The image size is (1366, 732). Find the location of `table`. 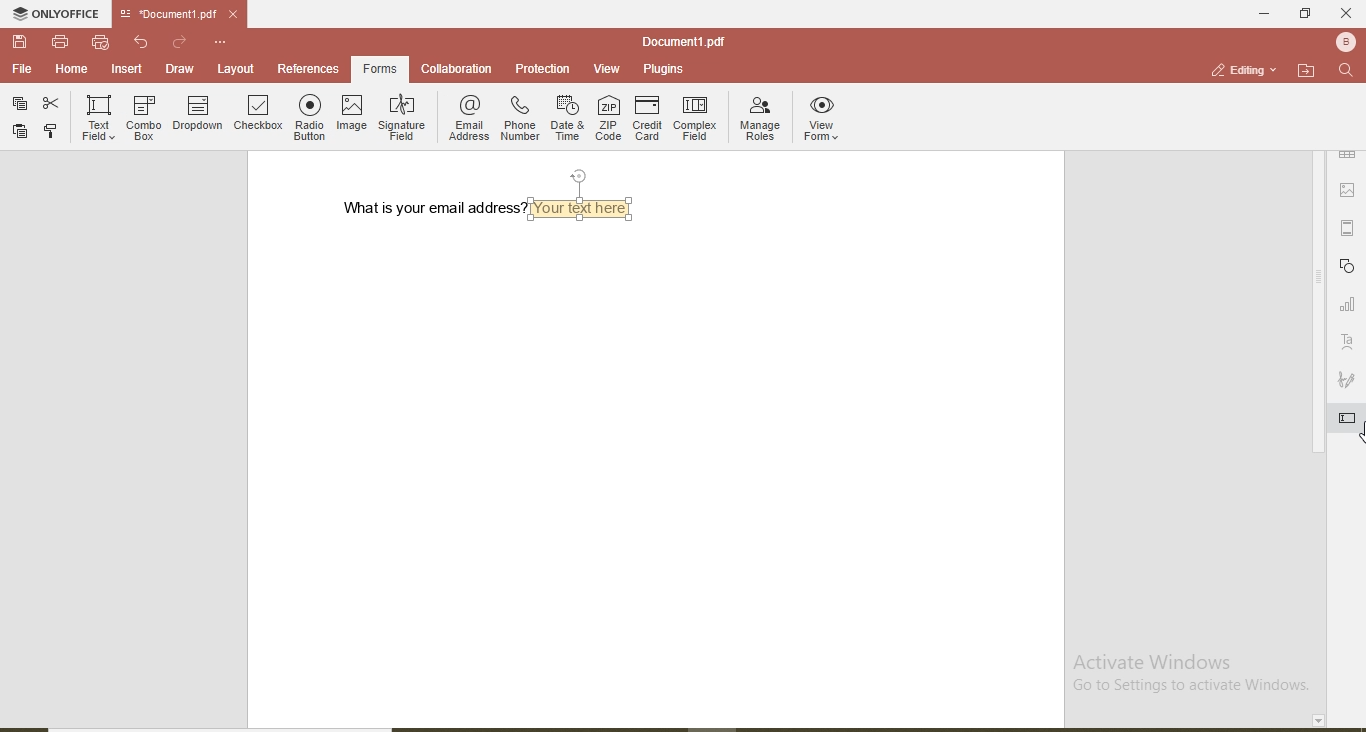

table is located at coordinates (1348, 154).